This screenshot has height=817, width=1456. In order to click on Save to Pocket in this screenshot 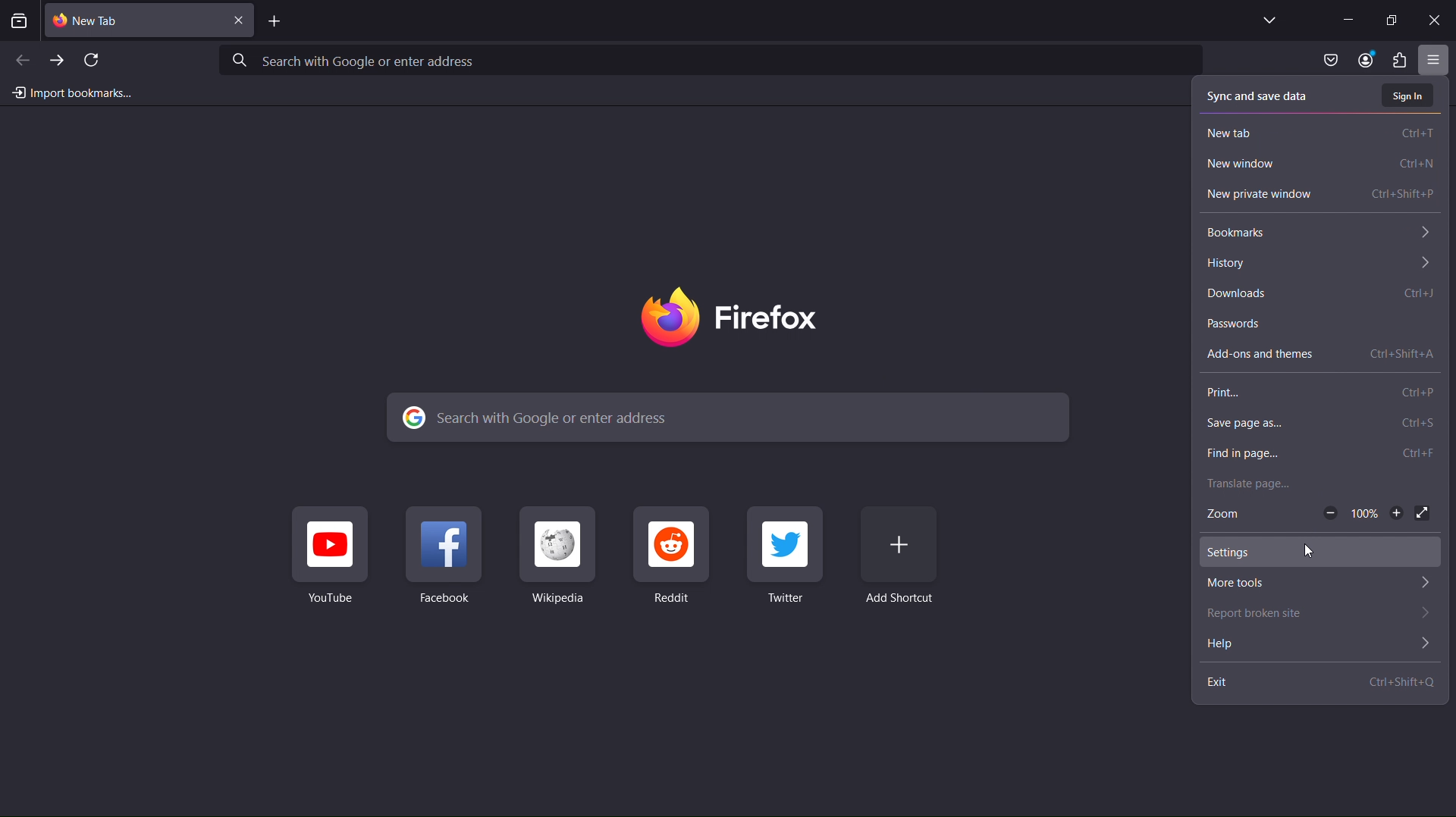, I will do `click(1331, 57)`.